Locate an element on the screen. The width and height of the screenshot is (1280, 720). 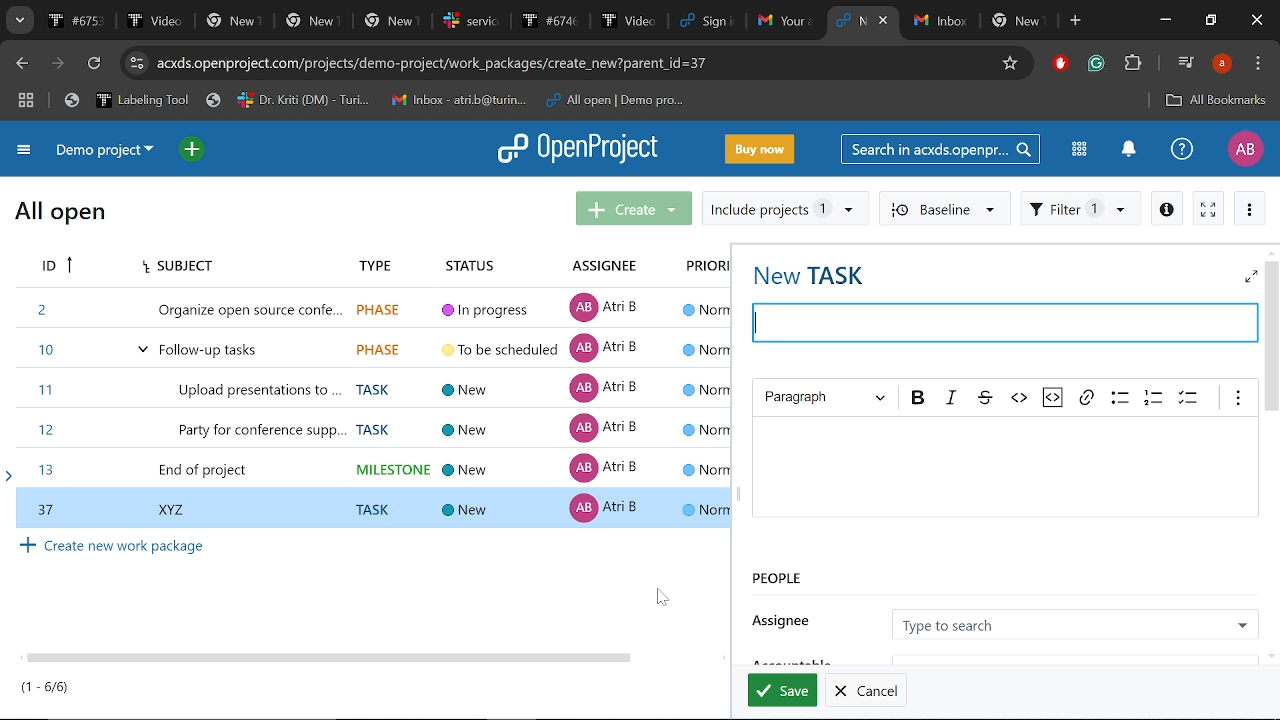
Code is located at coordinates (1018, 398).